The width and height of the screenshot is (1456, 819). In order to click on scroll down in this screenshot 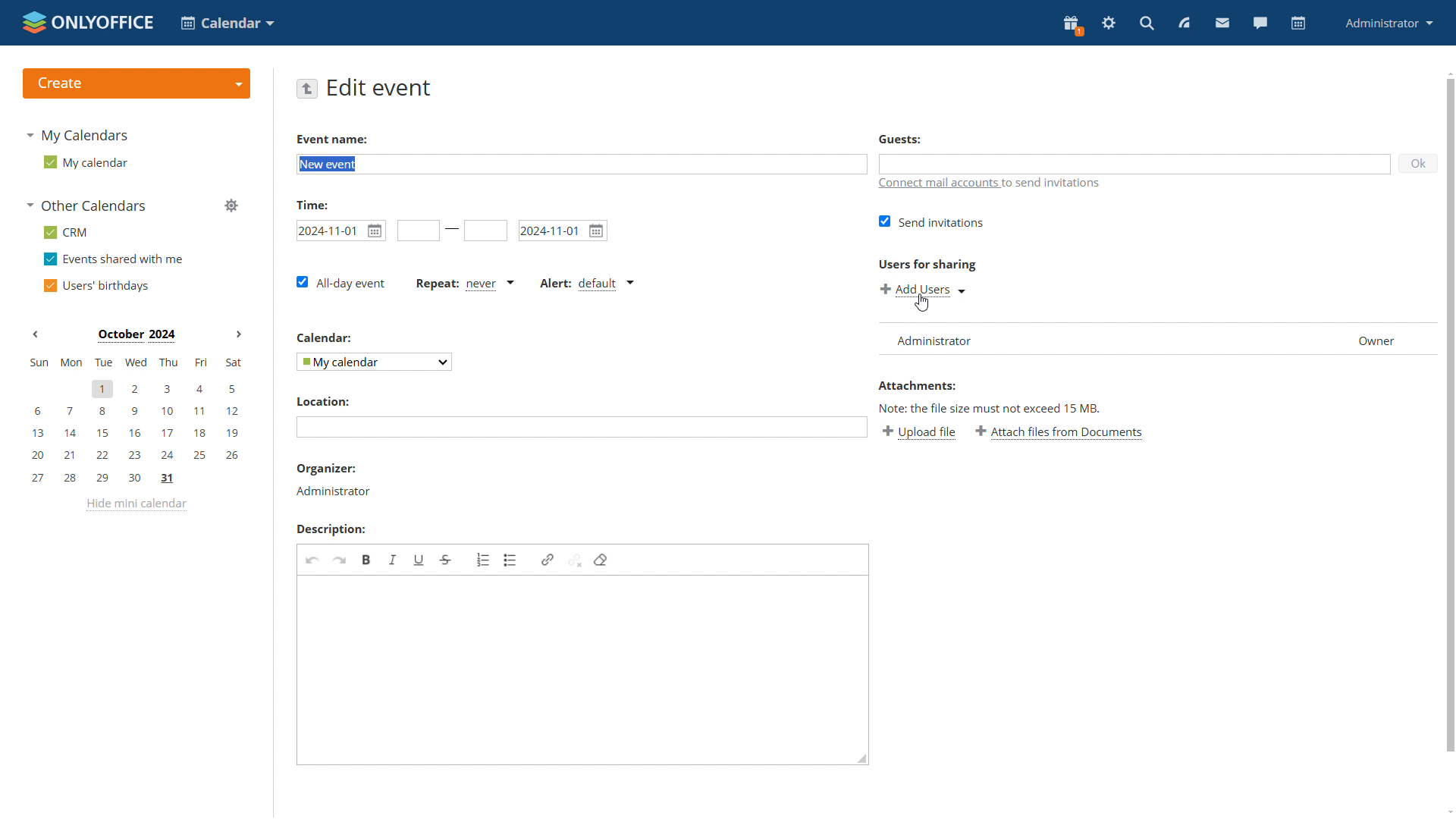, I will do `click(1449, 809)`.